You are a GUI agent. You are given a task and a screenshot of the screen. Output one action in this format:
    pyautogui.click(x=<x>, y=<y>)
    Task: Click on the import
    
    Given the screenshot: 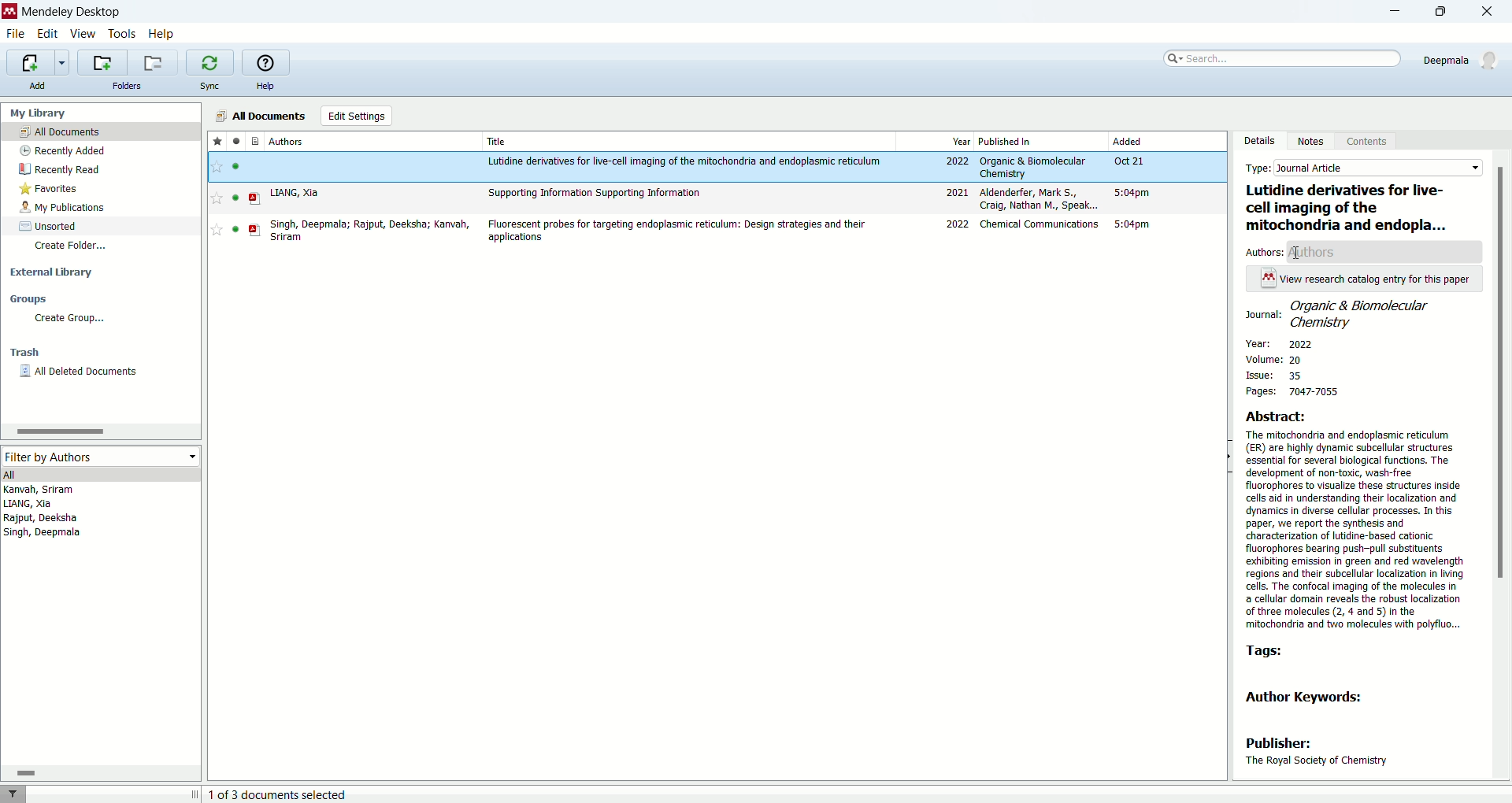 What is the action you would take?
    pyautogui.click(x=38, y=62)
    